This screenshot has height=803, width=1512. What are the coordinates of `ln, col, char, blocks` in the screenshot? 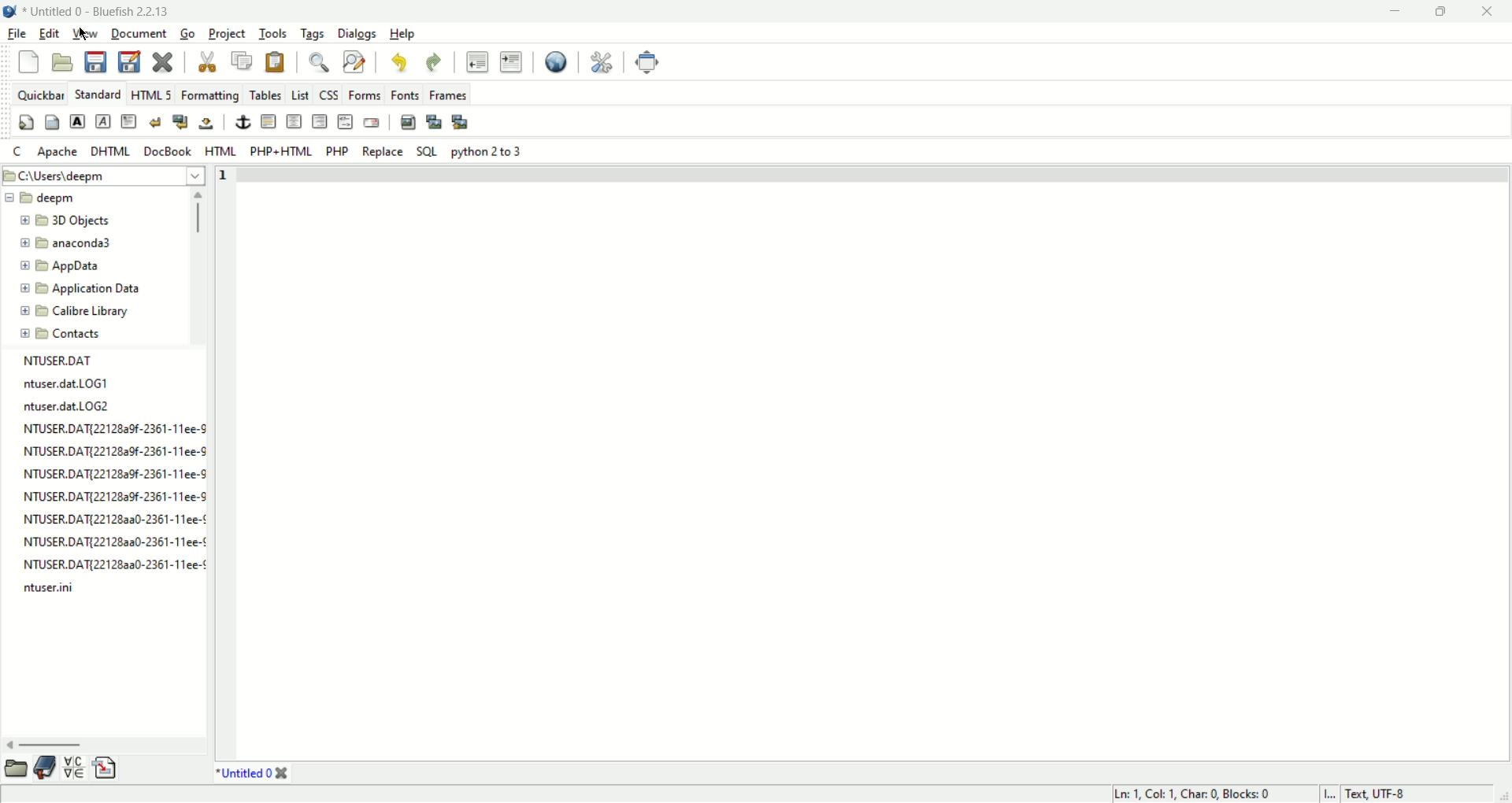 It's located at (1190, 794).